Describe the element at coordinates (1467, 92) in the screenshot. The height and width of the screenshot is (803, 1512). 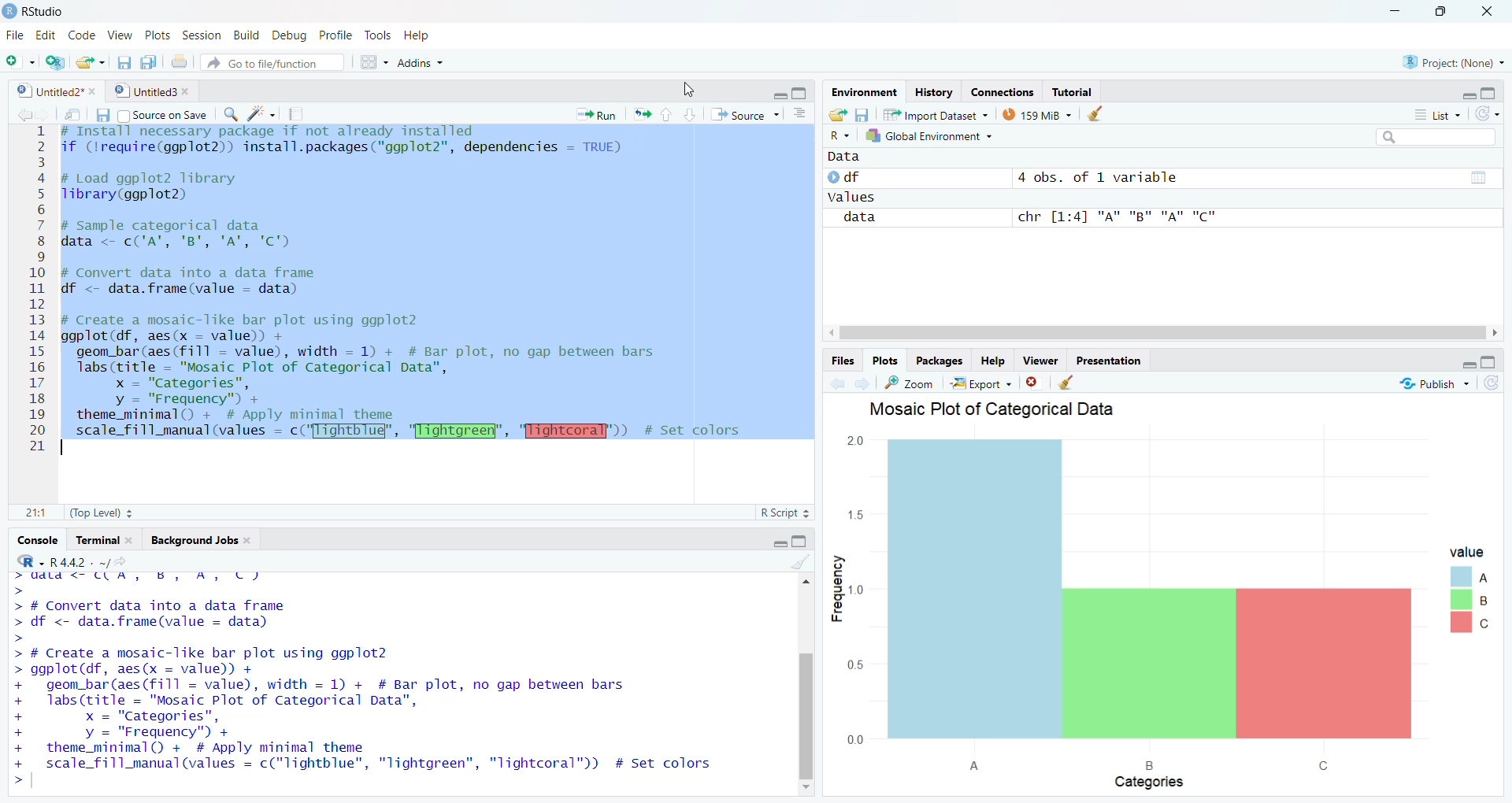
I see `Minimize` at that location.